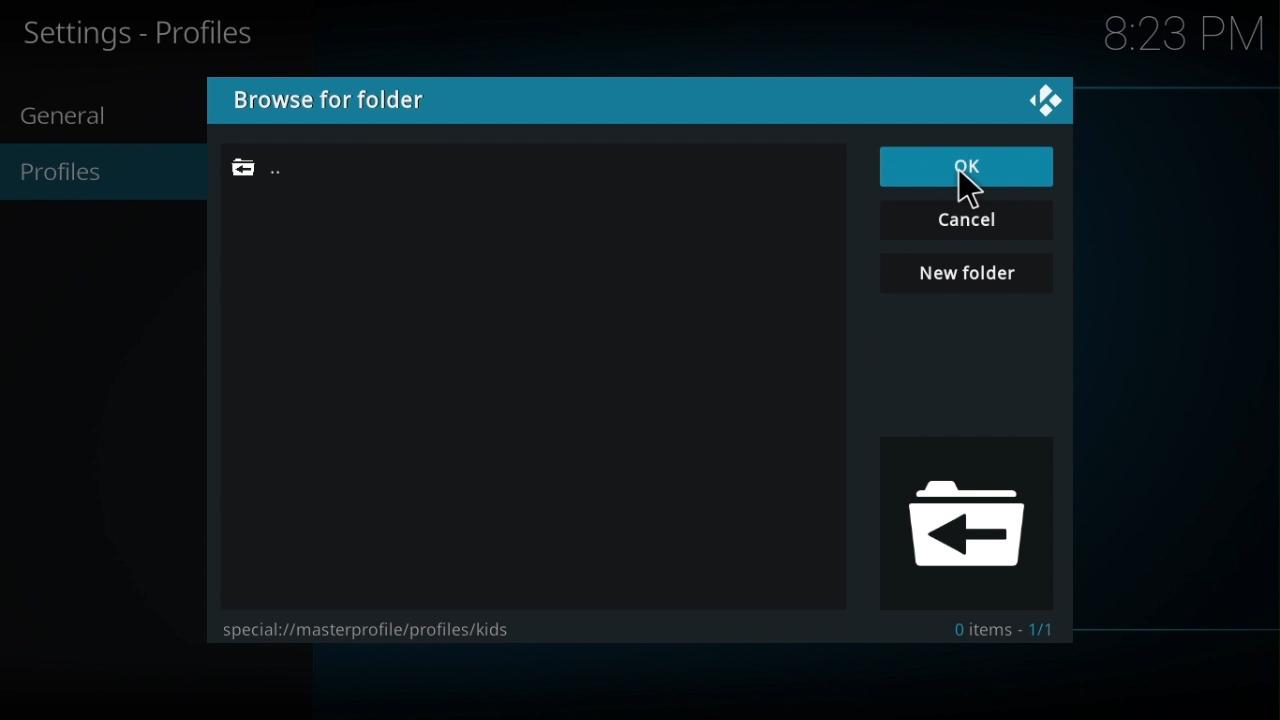  What do you see at coordinates (285, 167) in the screenshot?
I see `File path` at bounding box center [285, 167].